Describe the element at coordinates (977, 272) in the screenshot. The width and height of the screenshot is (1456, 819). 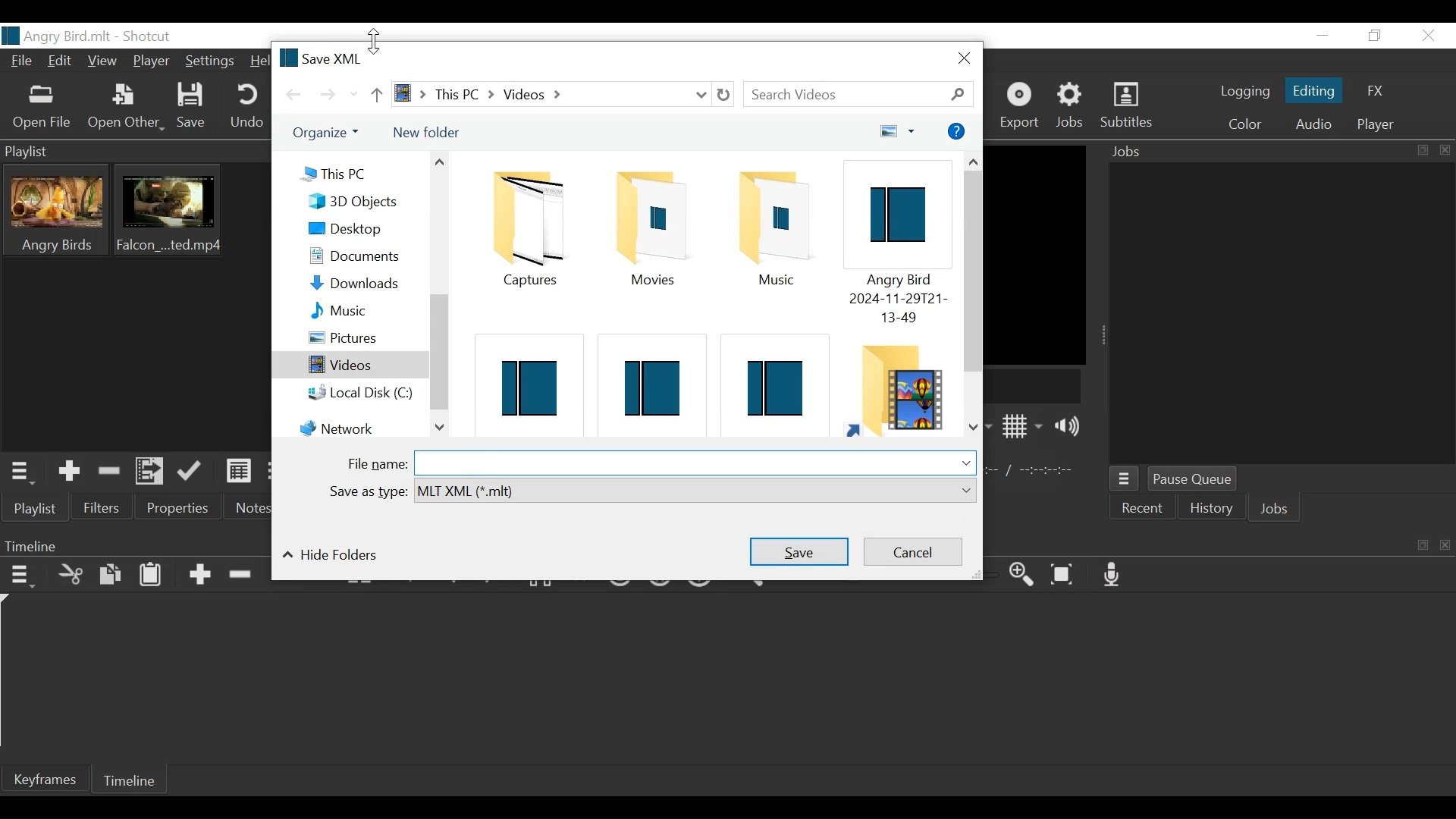
I see `Vertical Scroll up` at that location.